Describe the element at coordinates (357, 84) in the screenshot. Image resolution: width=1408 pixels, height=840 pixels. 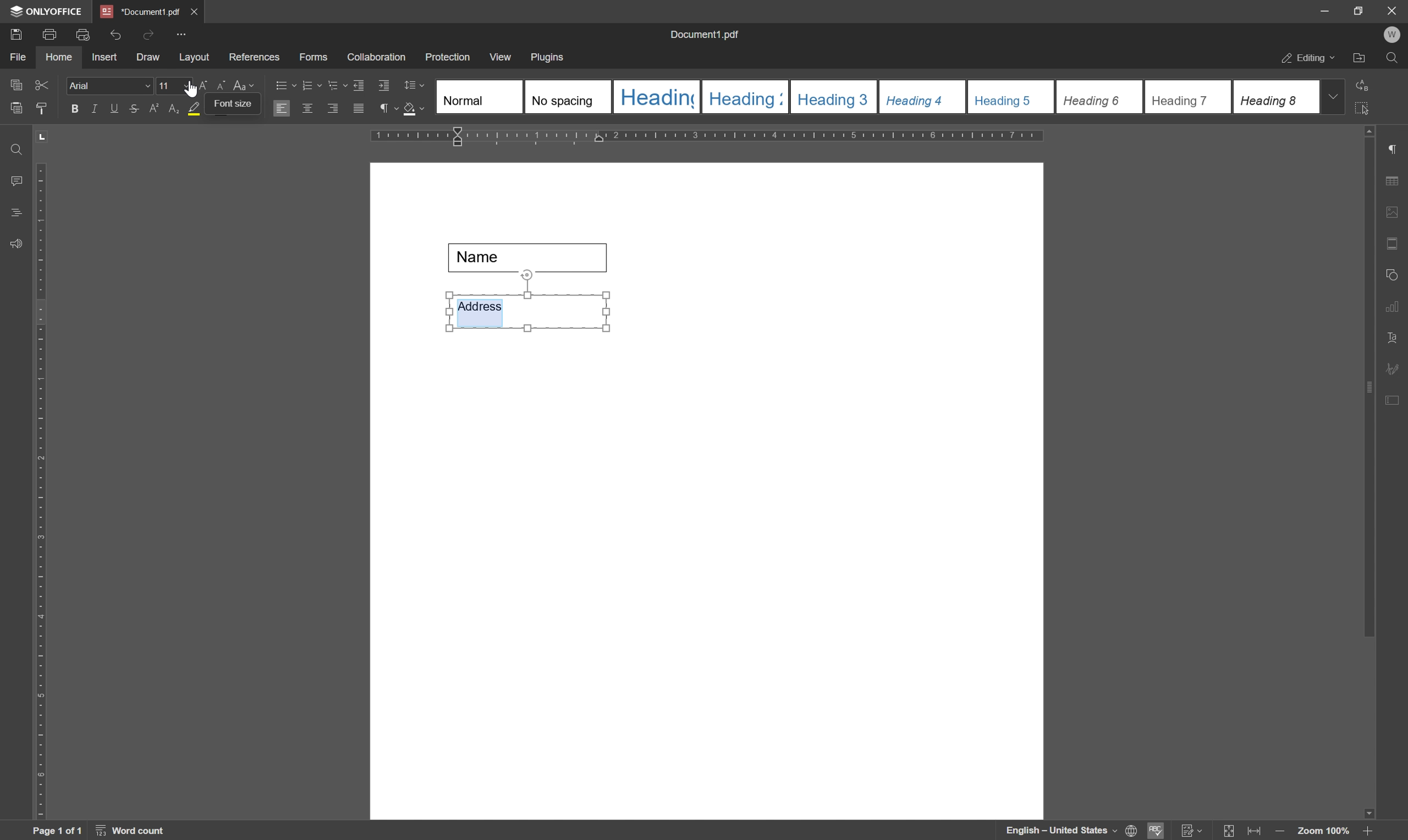
I see `decrease indent` at that location.